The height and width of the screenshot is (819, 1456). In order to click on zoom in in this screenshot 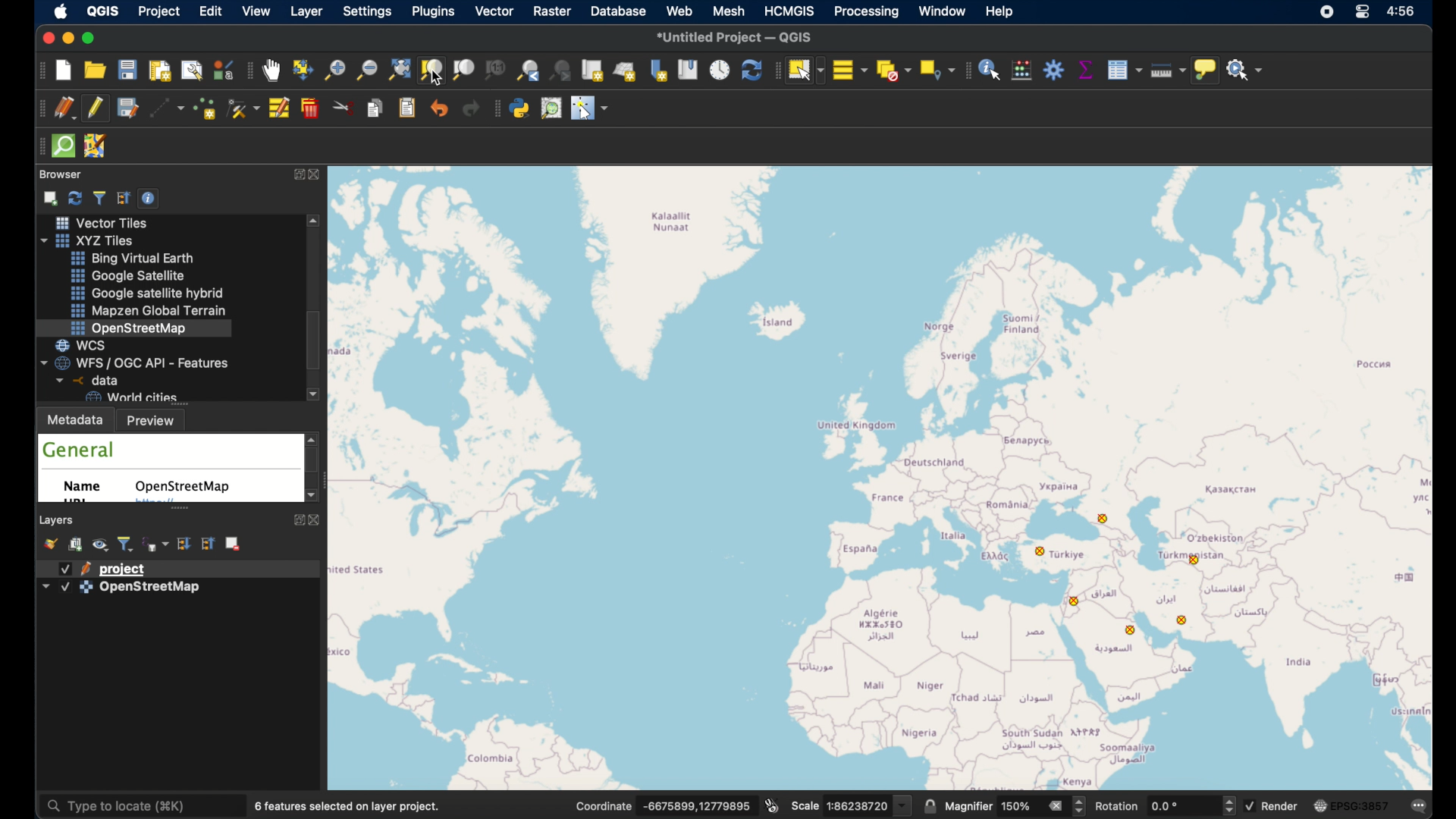, I will do `click(334, 74)`.